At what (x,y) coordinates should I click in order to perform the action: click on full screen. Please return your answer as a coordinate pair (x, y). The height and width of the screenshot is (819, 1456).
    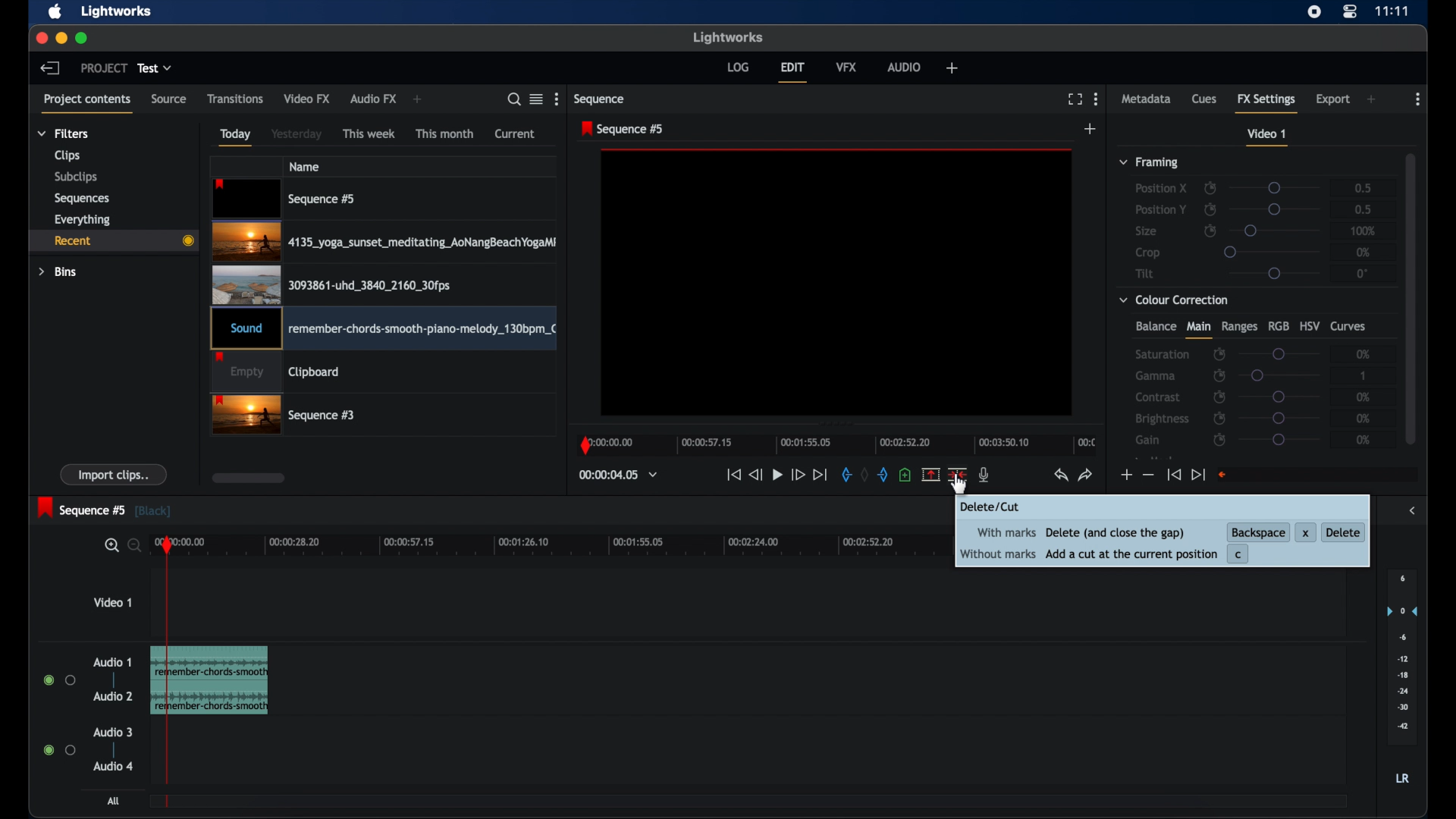
    Looking at the image, I should click on (1075, 99).